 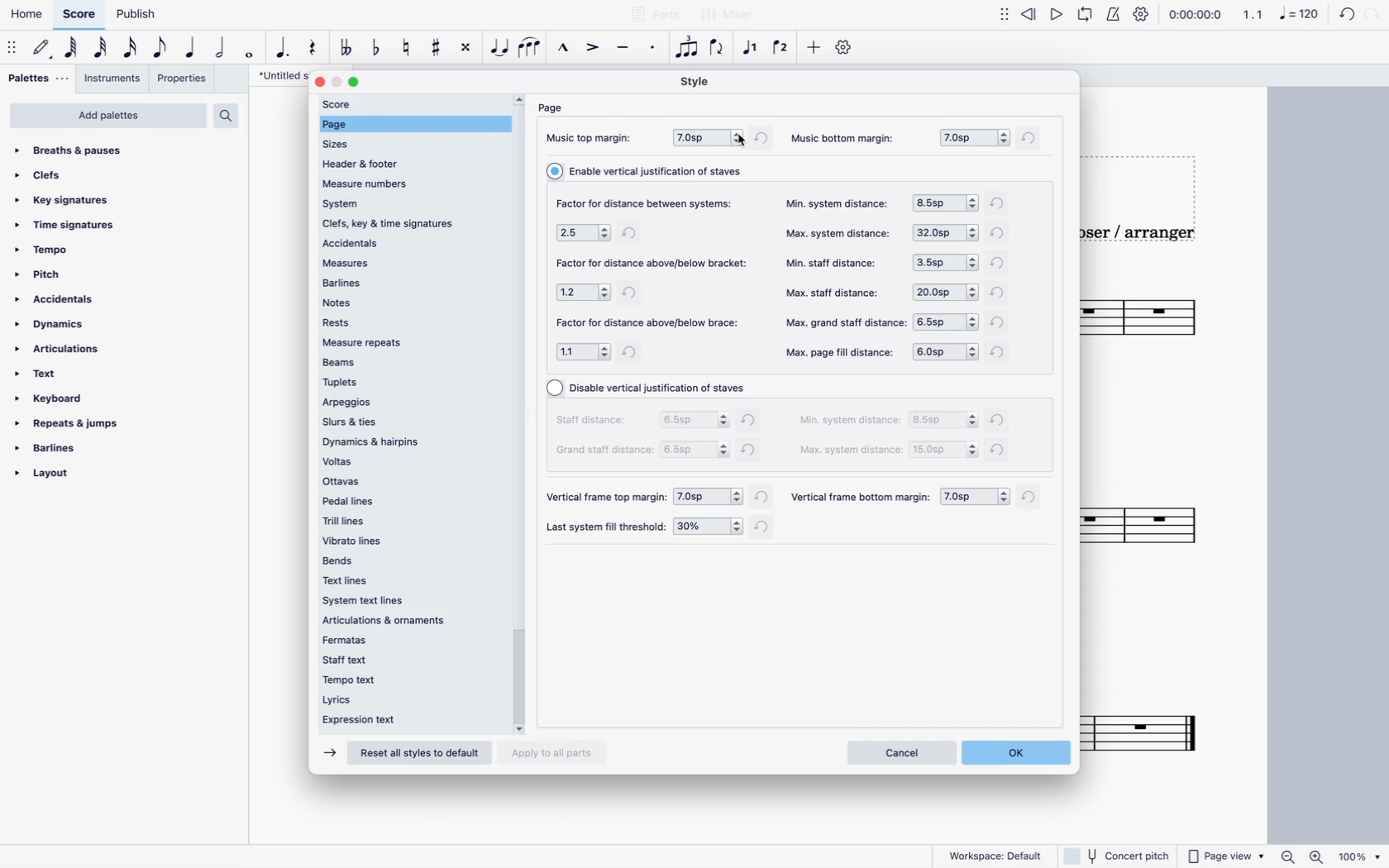 What do you see at coordinates (47, 176) in the screenshot?
I see `clefs` at bounding box center [47, 176].